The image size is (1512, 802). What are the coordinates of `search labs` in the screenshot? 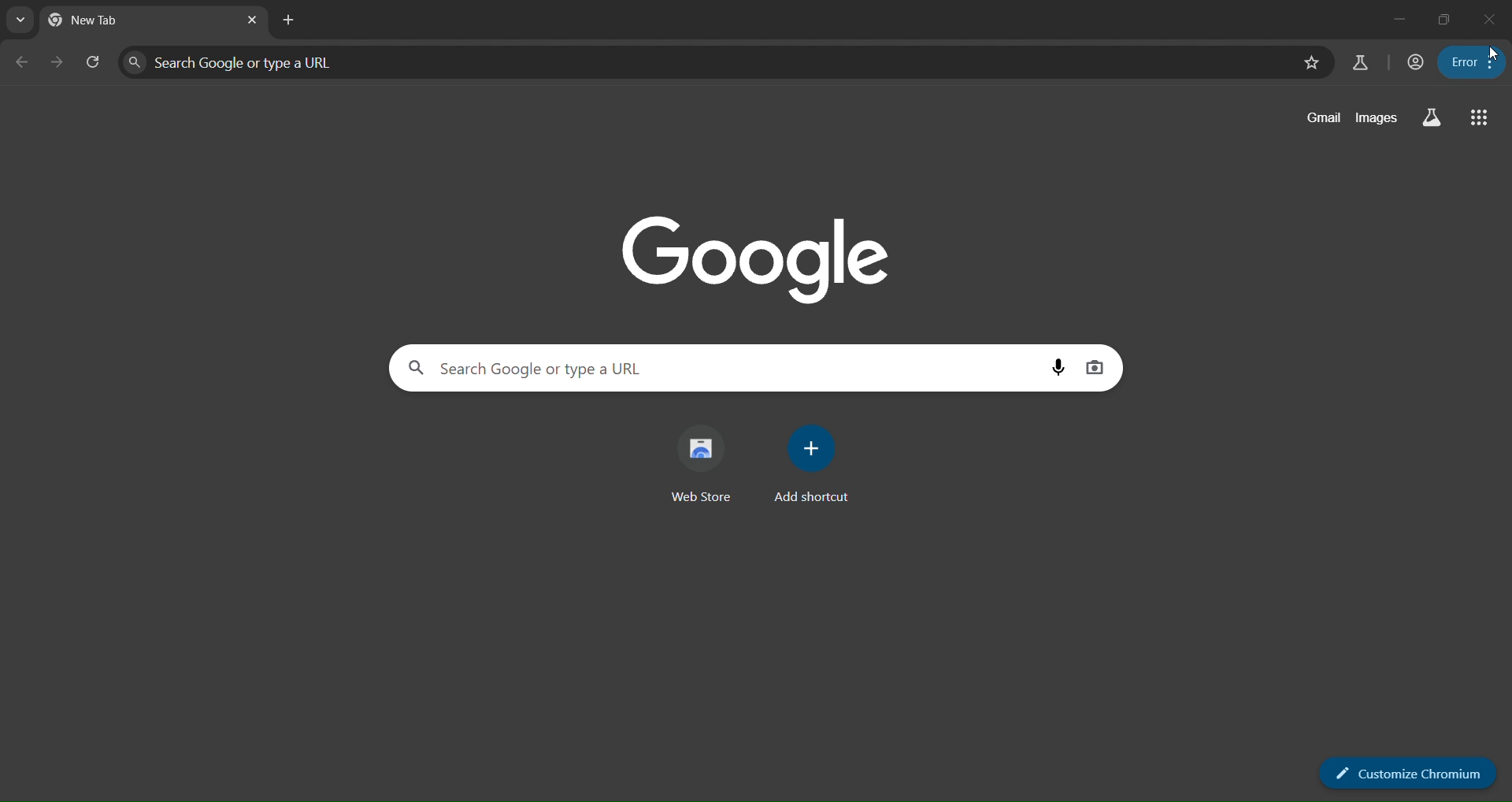 It's located at (1430, 117).